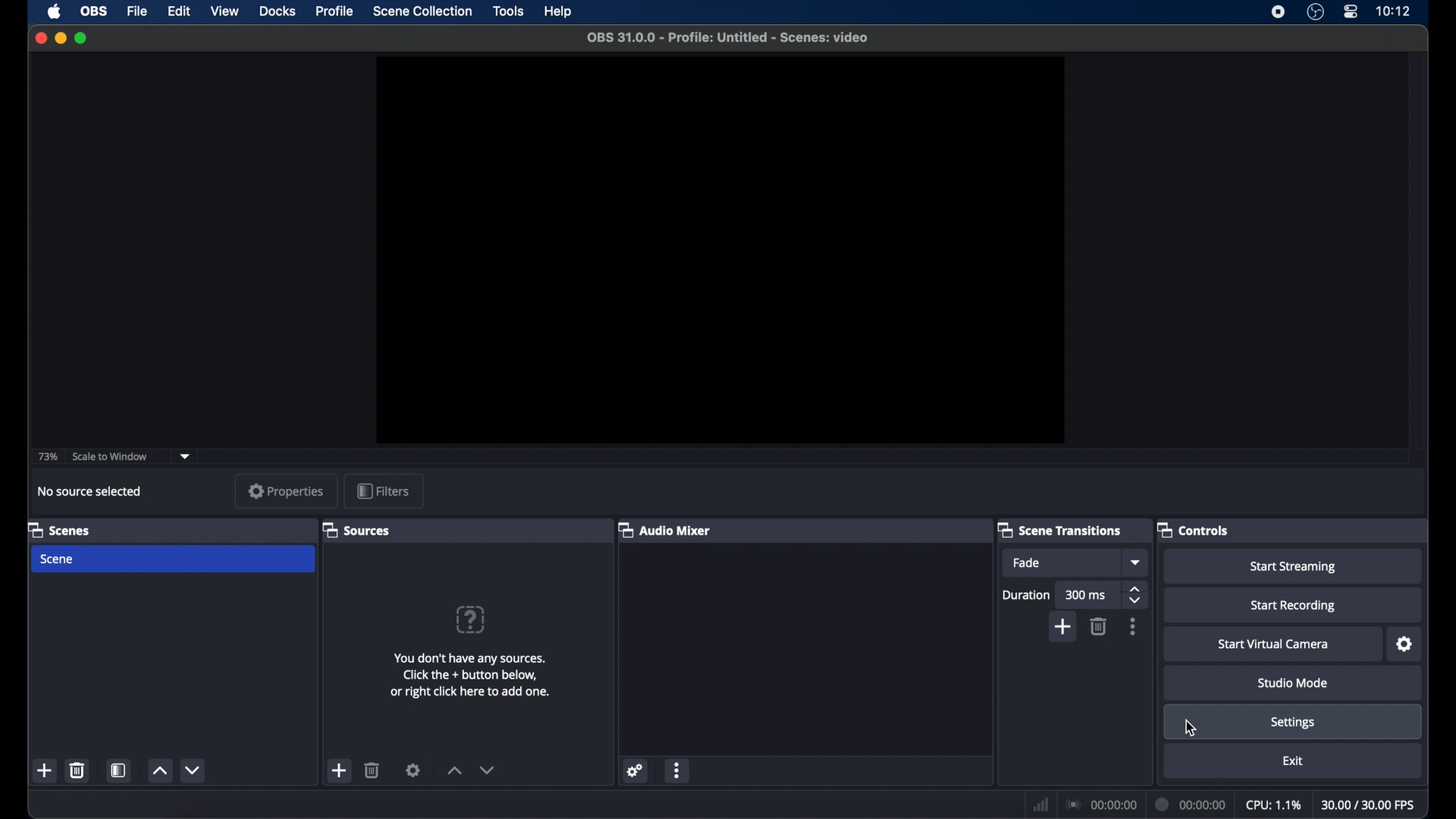 This screenshot has height=819, width=1456. I want to click on view, so click(226, 11).